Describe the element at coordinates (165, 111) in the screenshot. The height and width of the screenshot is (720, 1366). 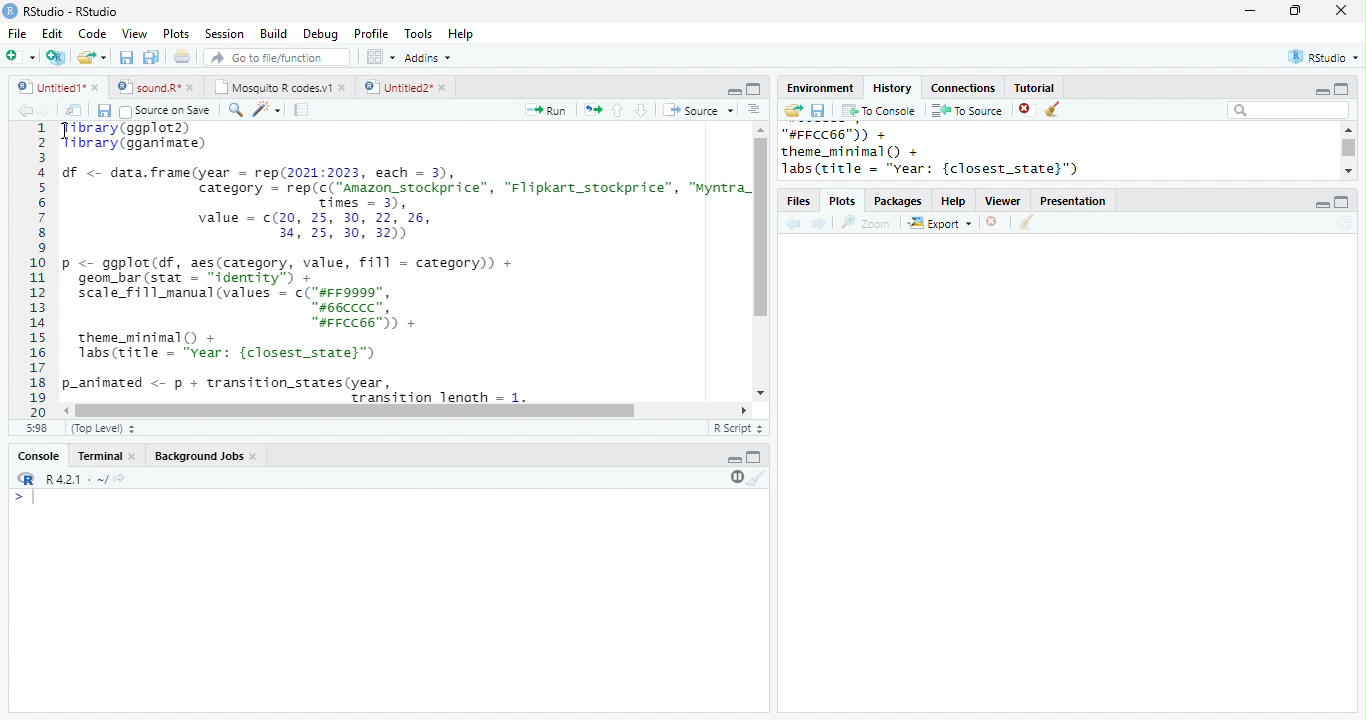
I see `Source on Save` at that location.